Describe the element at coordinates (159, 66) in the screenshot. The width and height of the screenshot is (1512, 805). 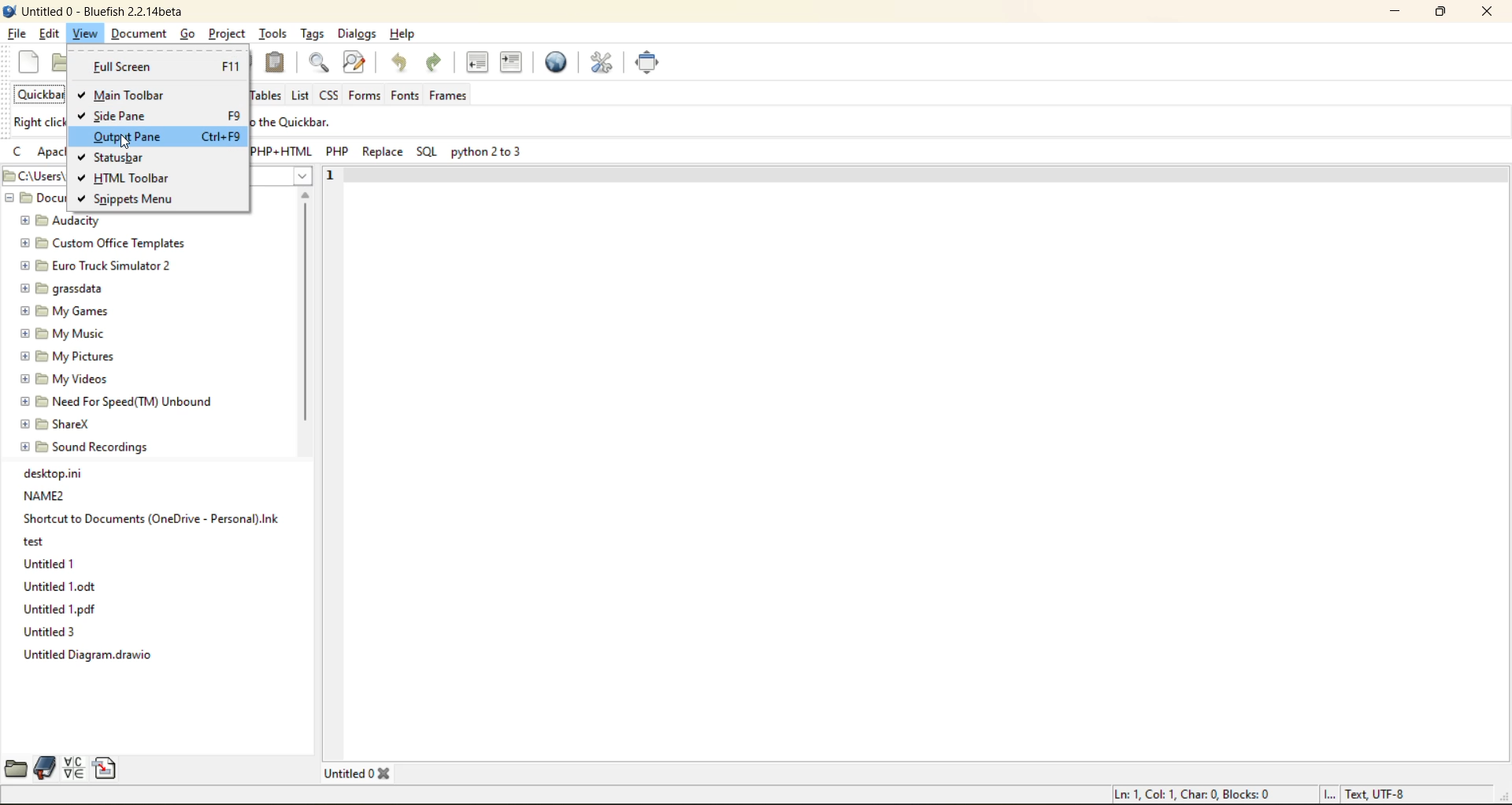
I see `full screen` at that location.